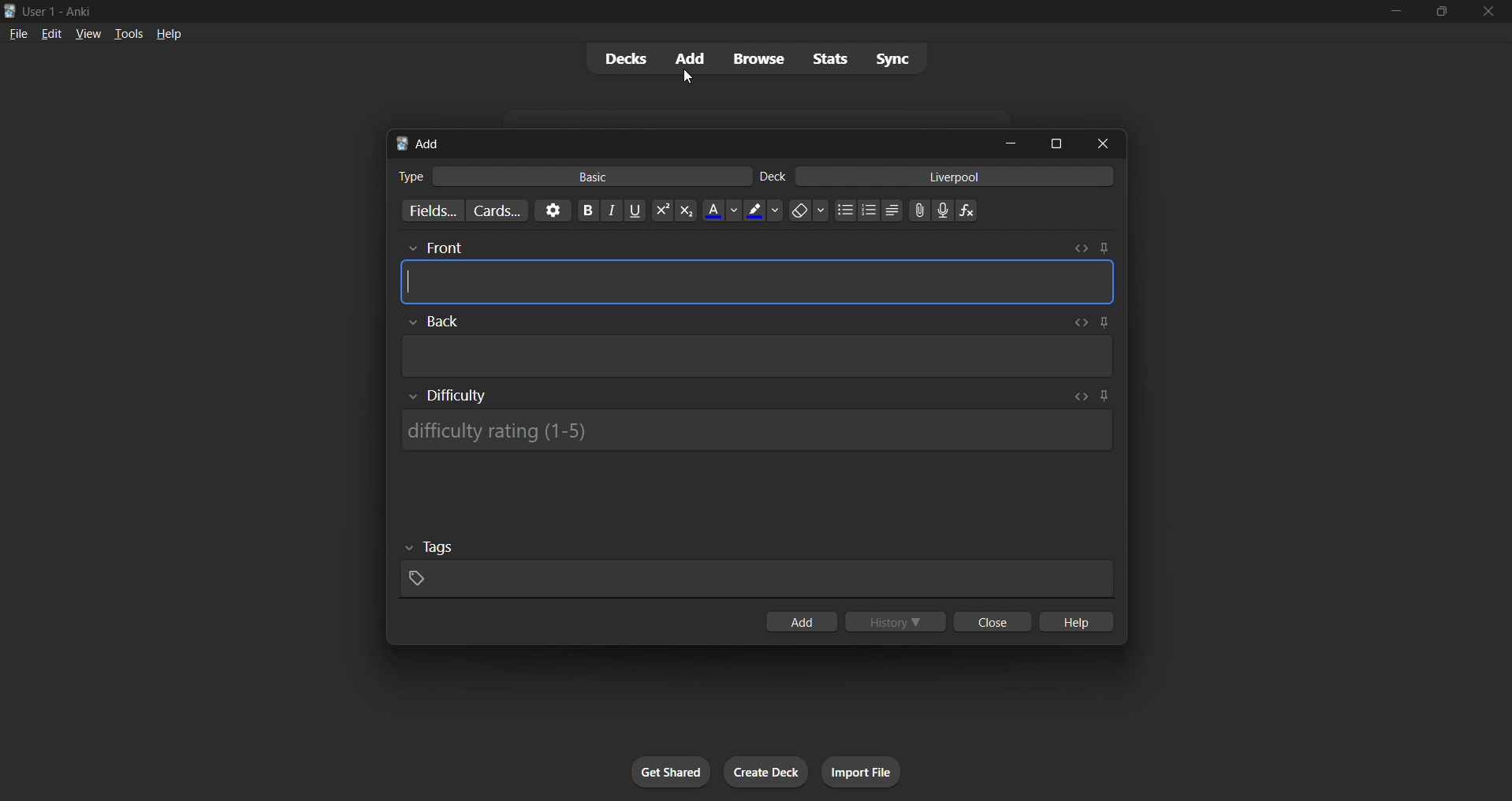  I want to click on card tags input box, so click(757, 564).